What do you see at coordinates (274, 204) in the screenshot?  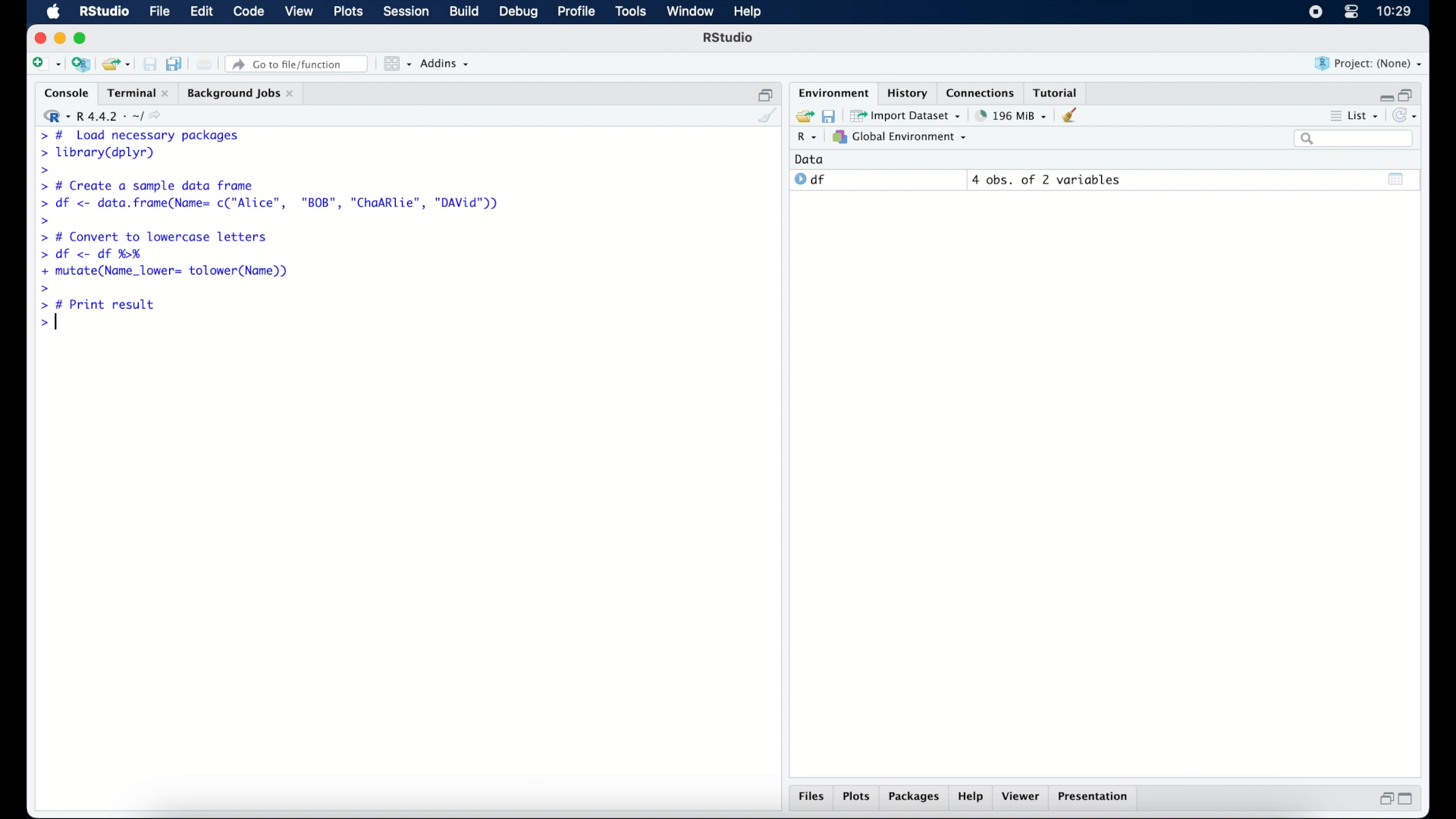 I see `> df <- data.frame(Name= c("Alice", "BOB", "ChaARlie", "DAVid"))|` at bounding box center [274, 204].